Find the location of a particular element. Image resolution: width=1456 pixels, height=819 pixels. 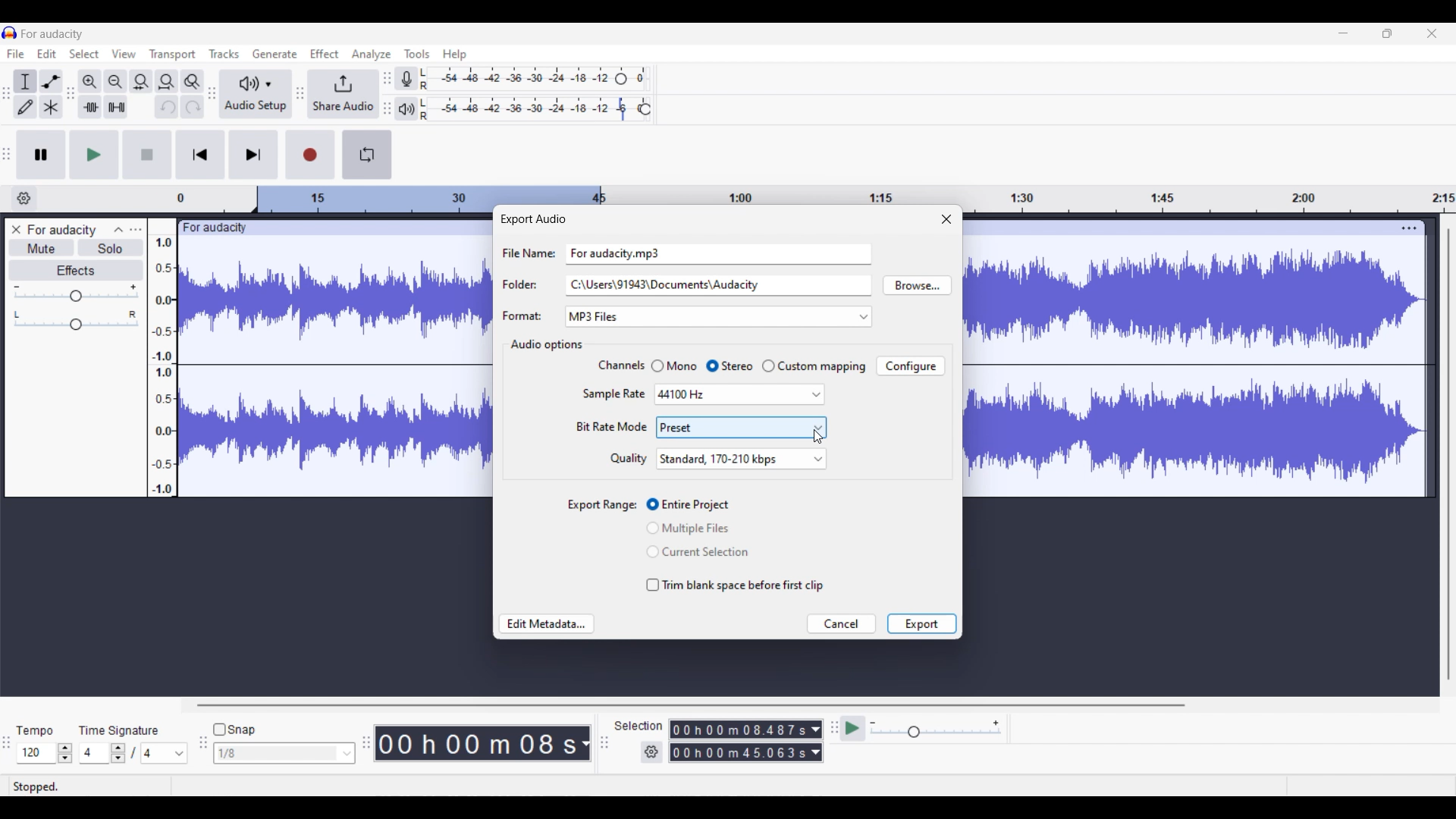

Effect menu is located at coordinates (324, 53).